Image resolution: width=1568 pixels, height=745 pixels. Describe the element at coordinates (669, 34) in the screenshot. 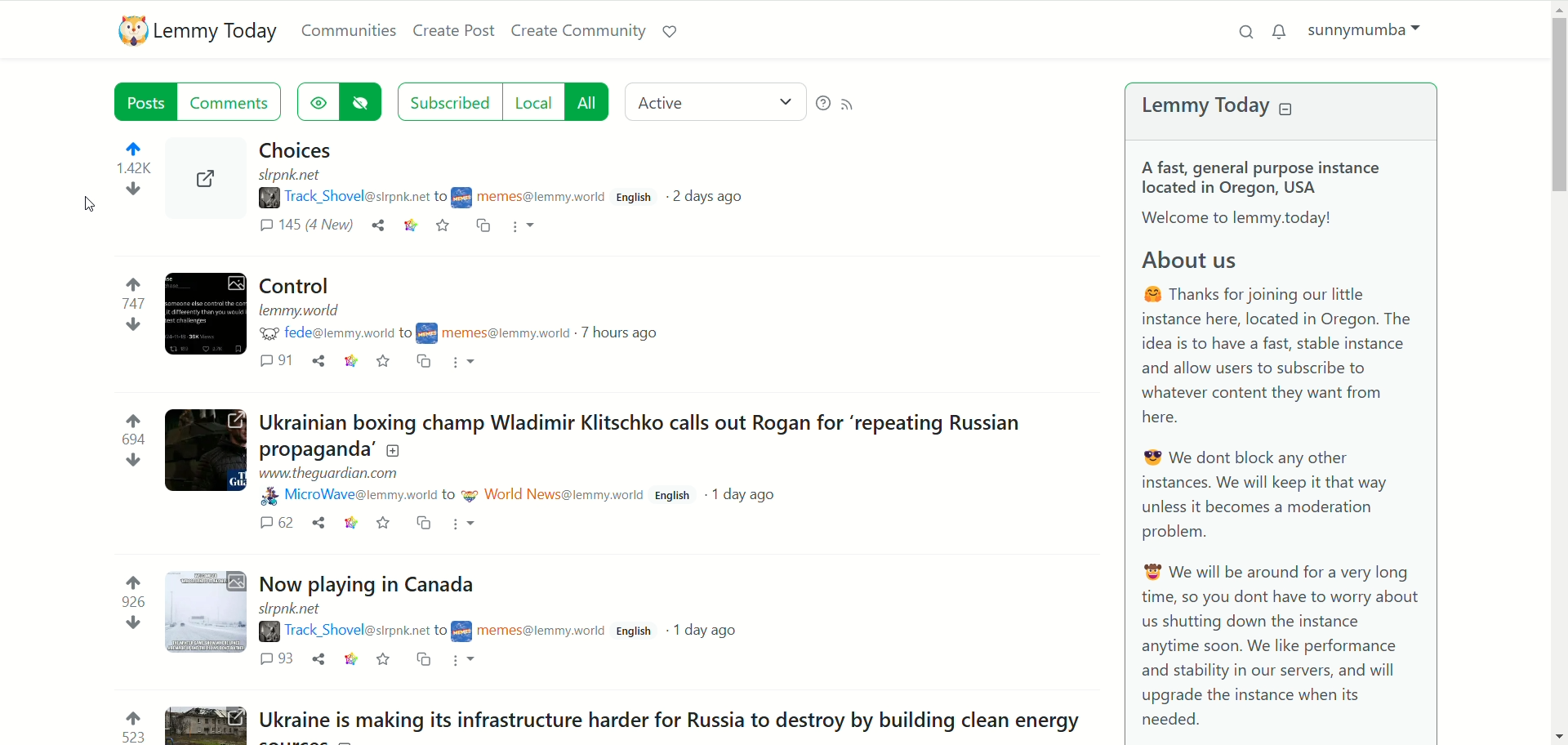

I see `support lemmy` at that location.